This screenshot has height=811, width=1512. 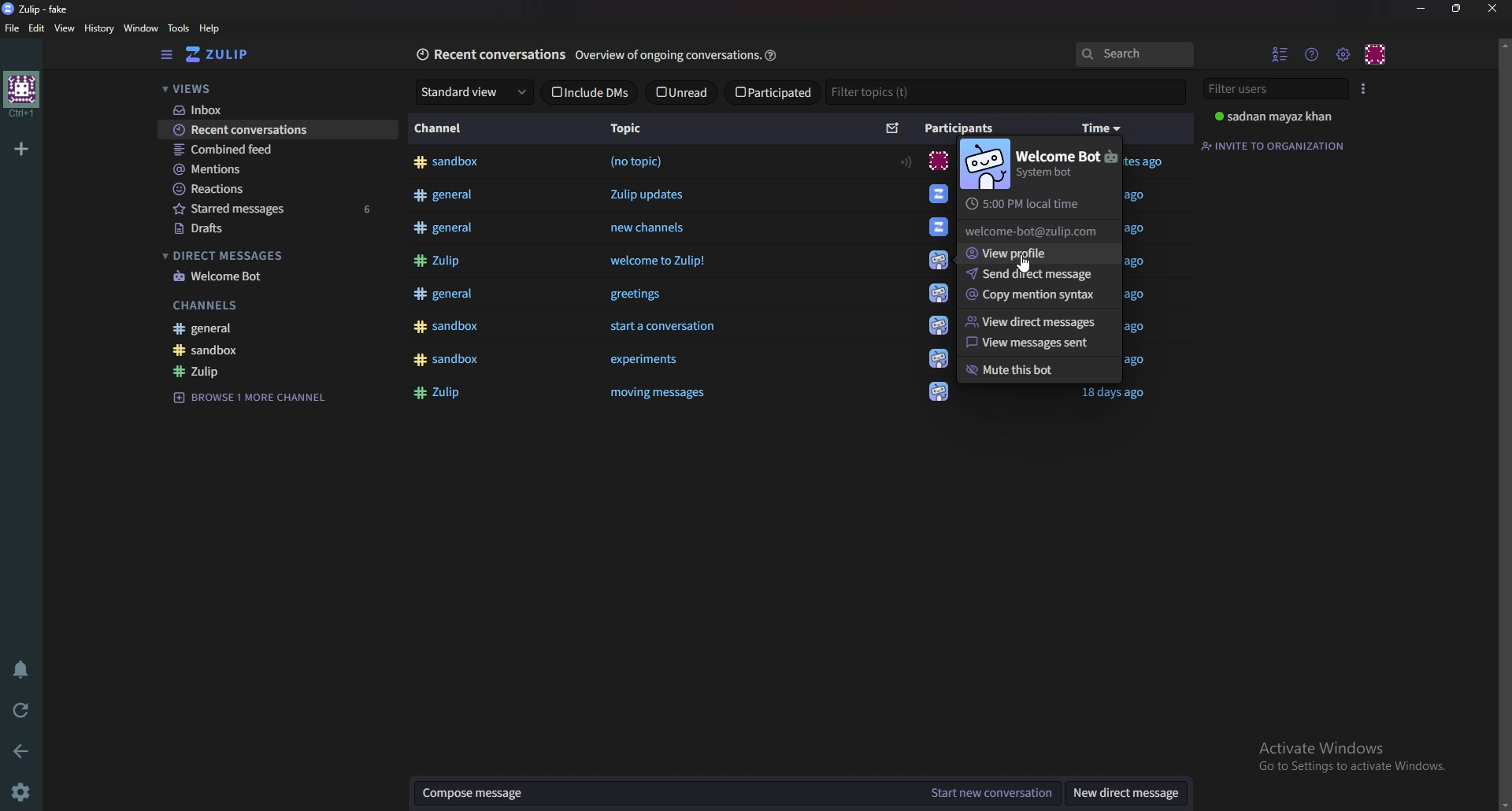 I want to click on welcome bot, so click(x=1069, y=164).